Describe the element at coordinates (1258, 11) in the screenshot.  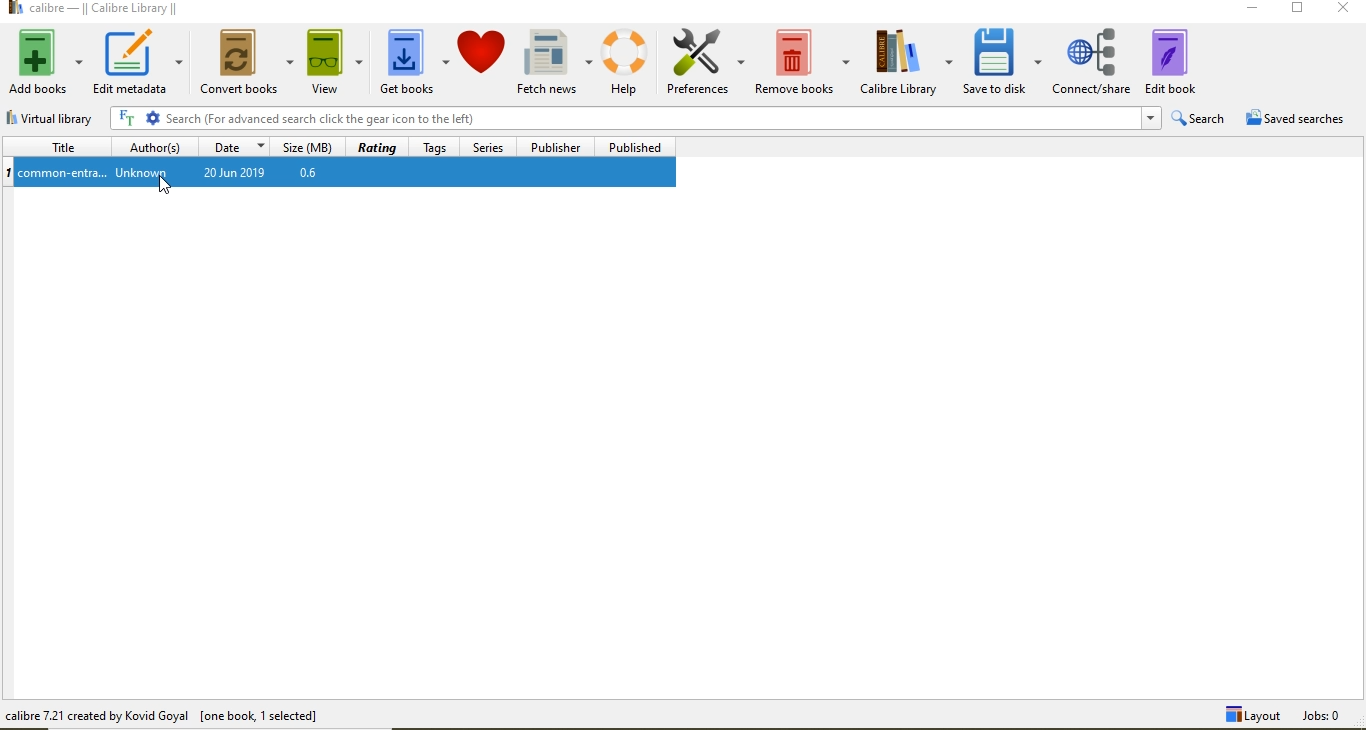
I see `minimise` at that location.